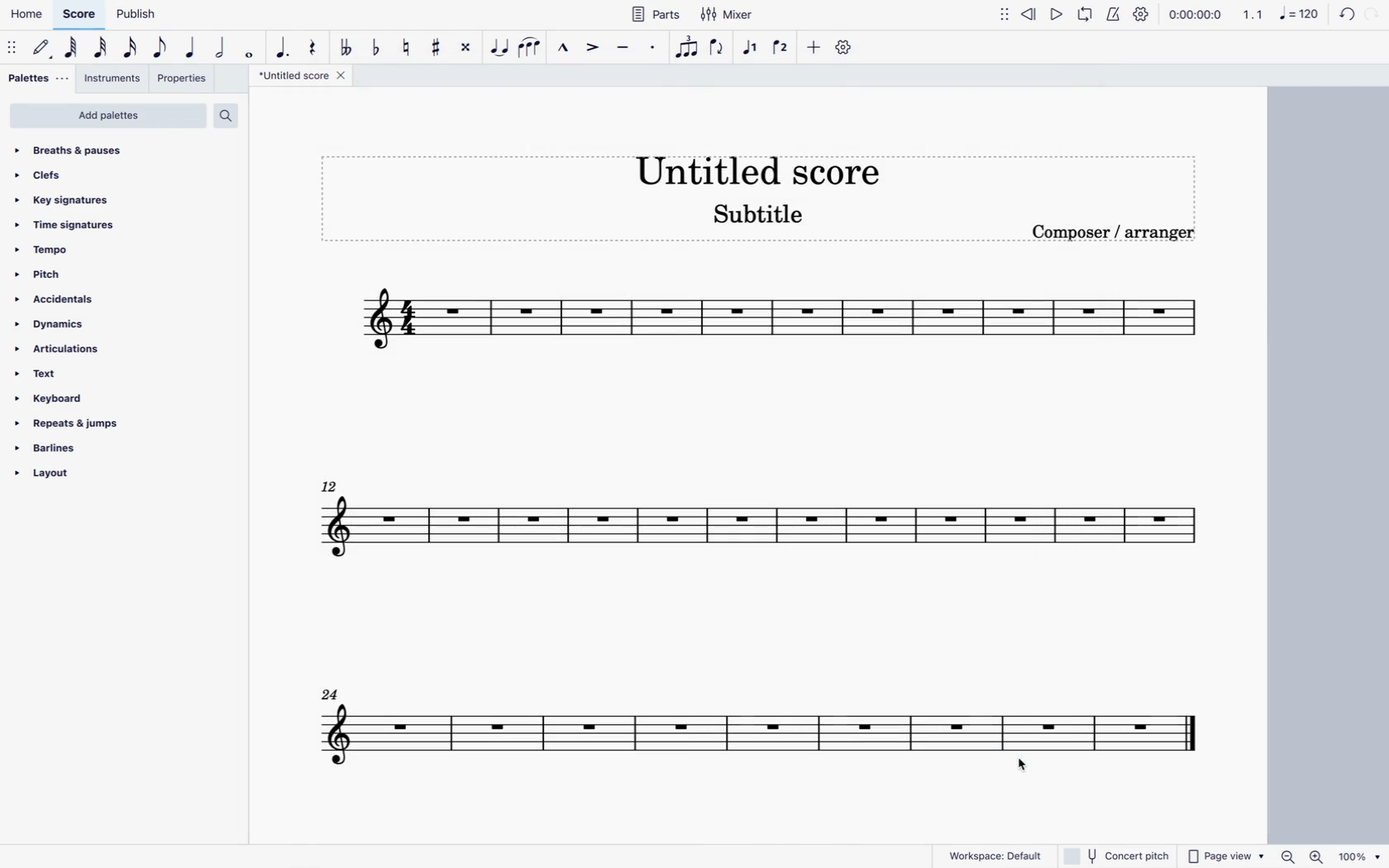 This screenshot has height=868, width=1389. Describe the element at coordinates (79, 15) in the screenshot. I see `score` at that location.